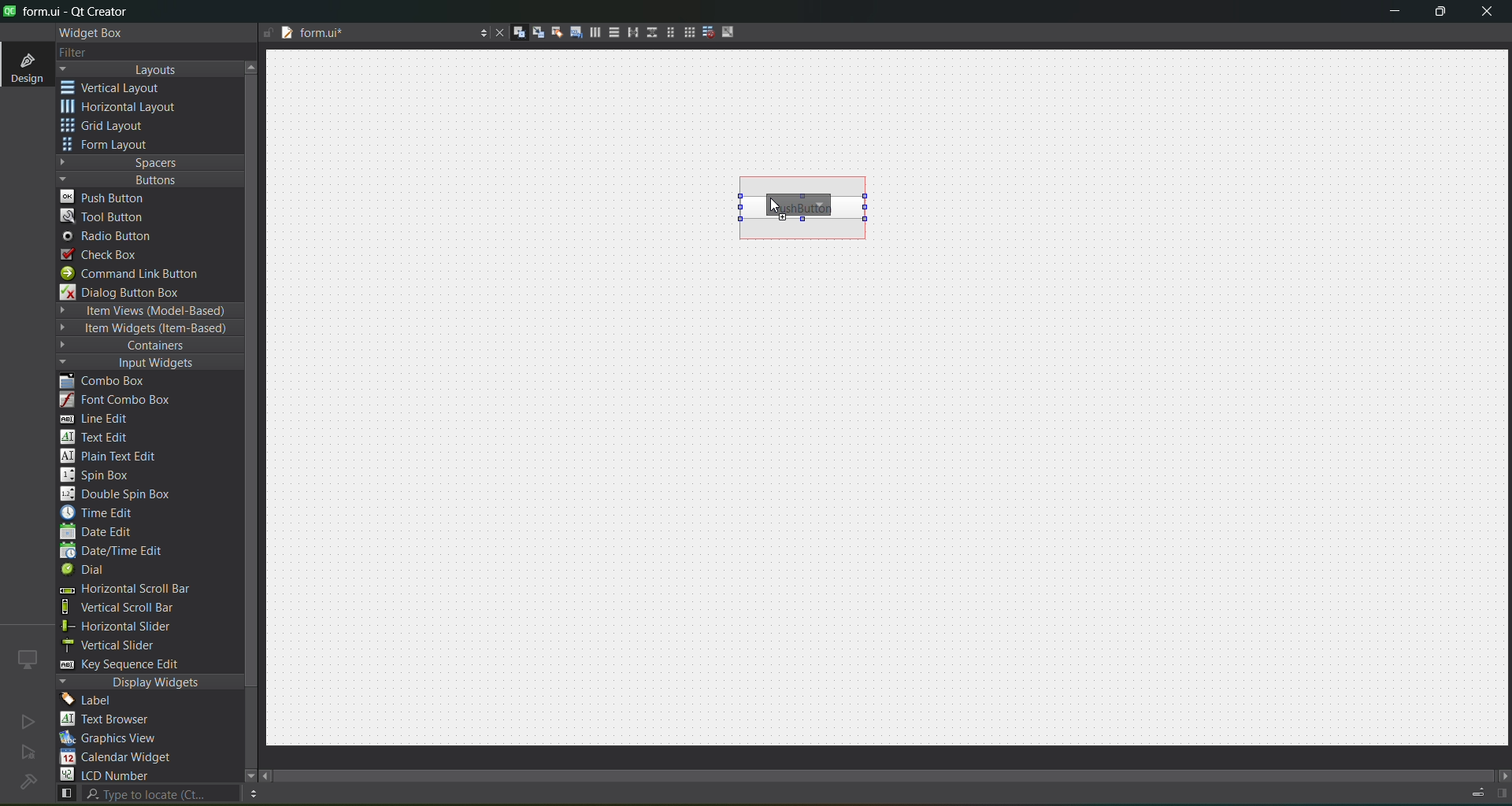 This screenshot has height=806, width=1512. Describe the element at coordinates (804, 209) in the screenshot. I see `push button inserted` at that location.